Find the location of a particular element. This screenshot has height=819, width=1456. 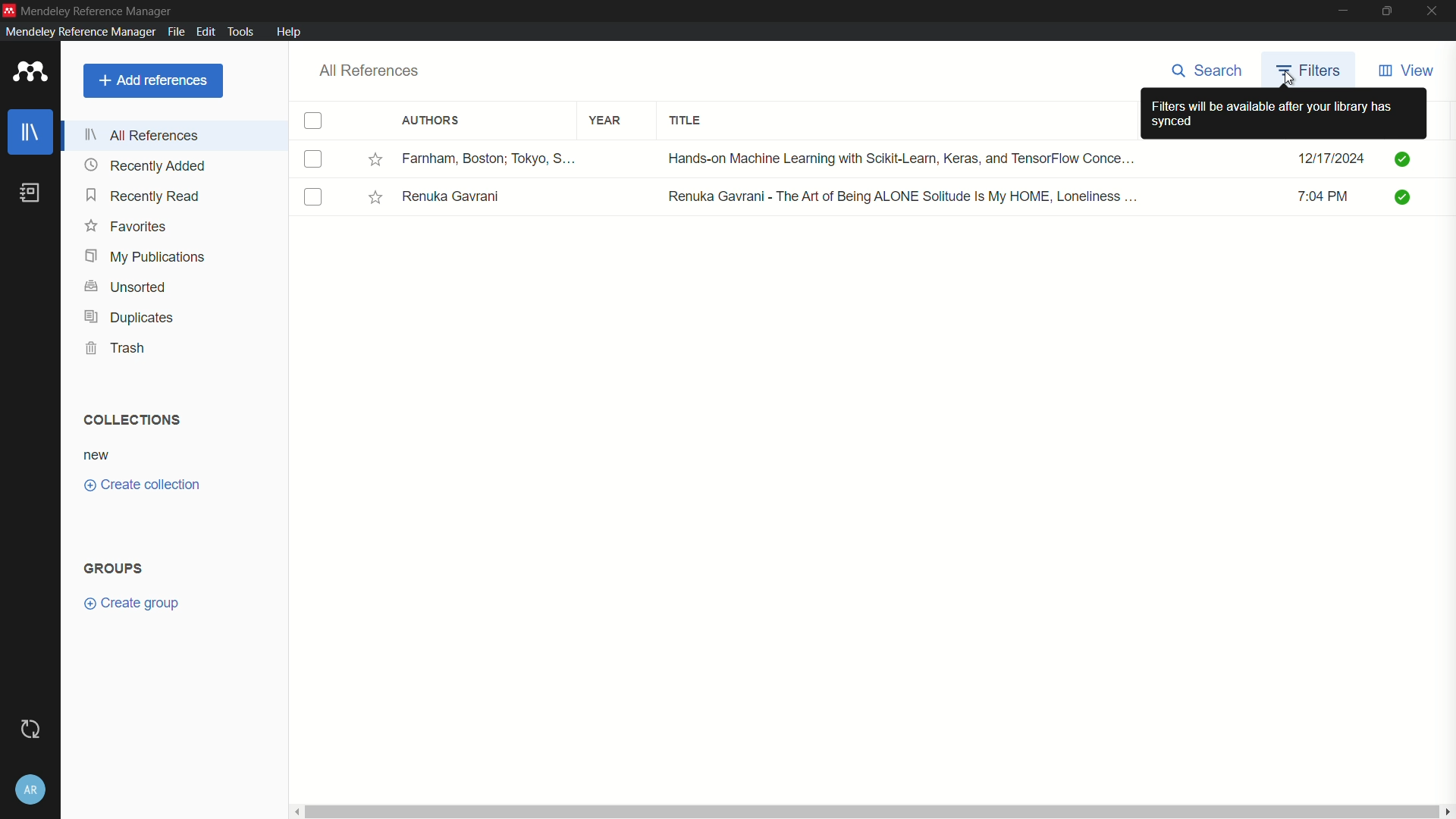

recently added is located at coordinates (147, 167).